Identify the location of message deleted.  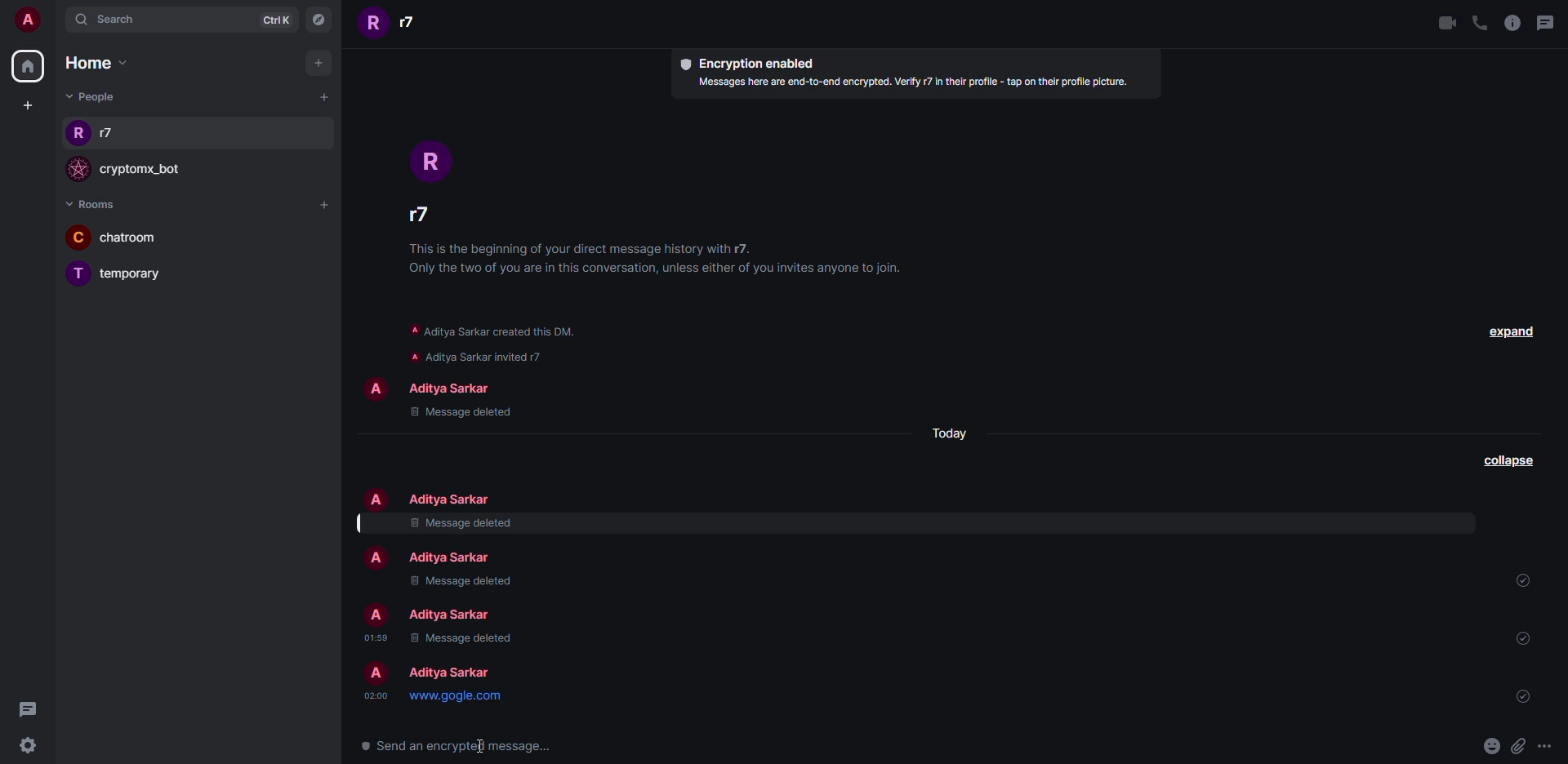
(460, 413).